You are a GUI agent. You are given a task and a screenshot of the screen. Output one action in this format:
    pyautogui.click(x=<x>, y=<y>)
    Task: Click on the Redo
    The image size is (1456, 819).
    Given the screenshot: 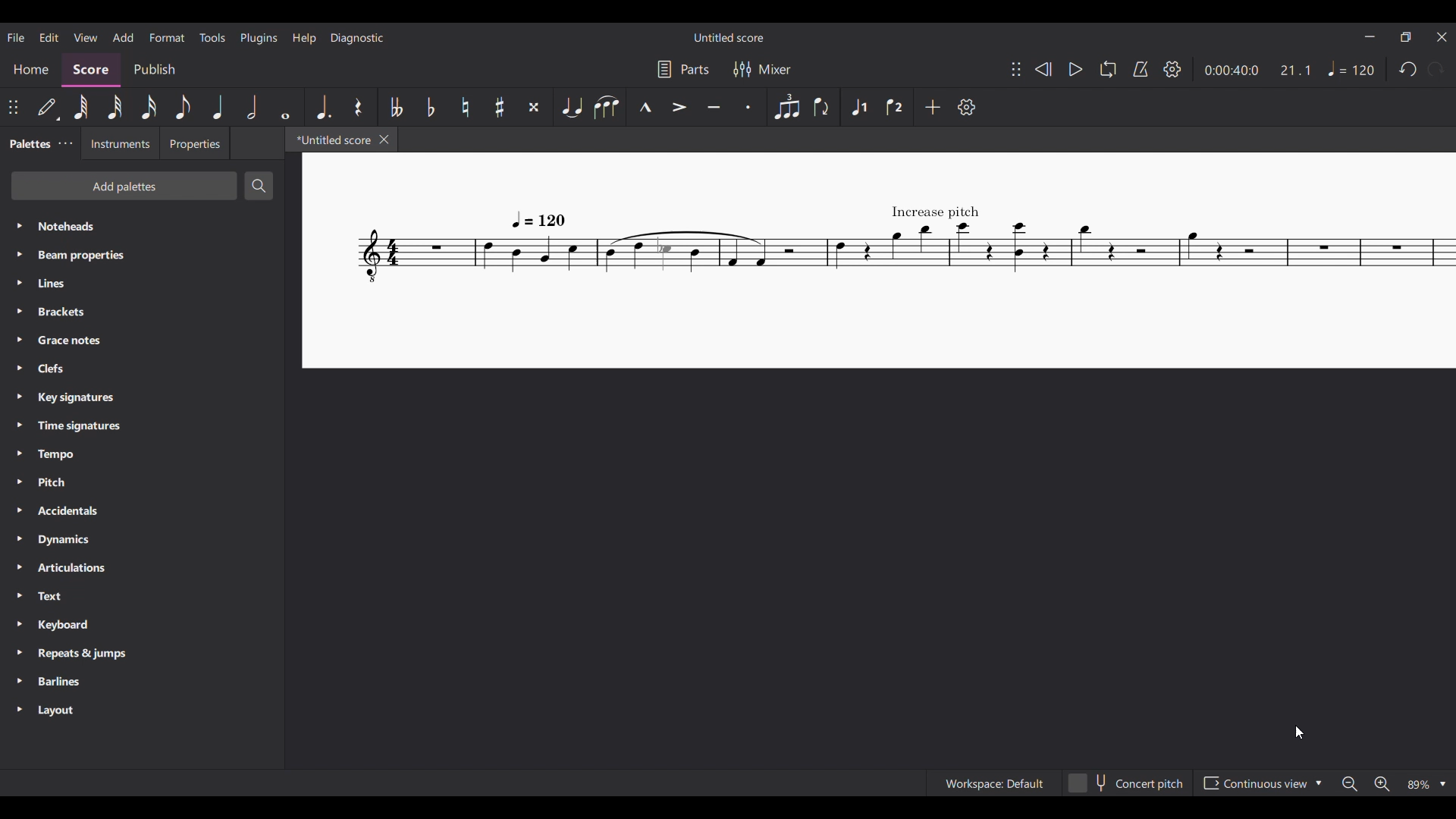 What is the action you would take?
    pyautogui.click(x=1435, y=68)
    